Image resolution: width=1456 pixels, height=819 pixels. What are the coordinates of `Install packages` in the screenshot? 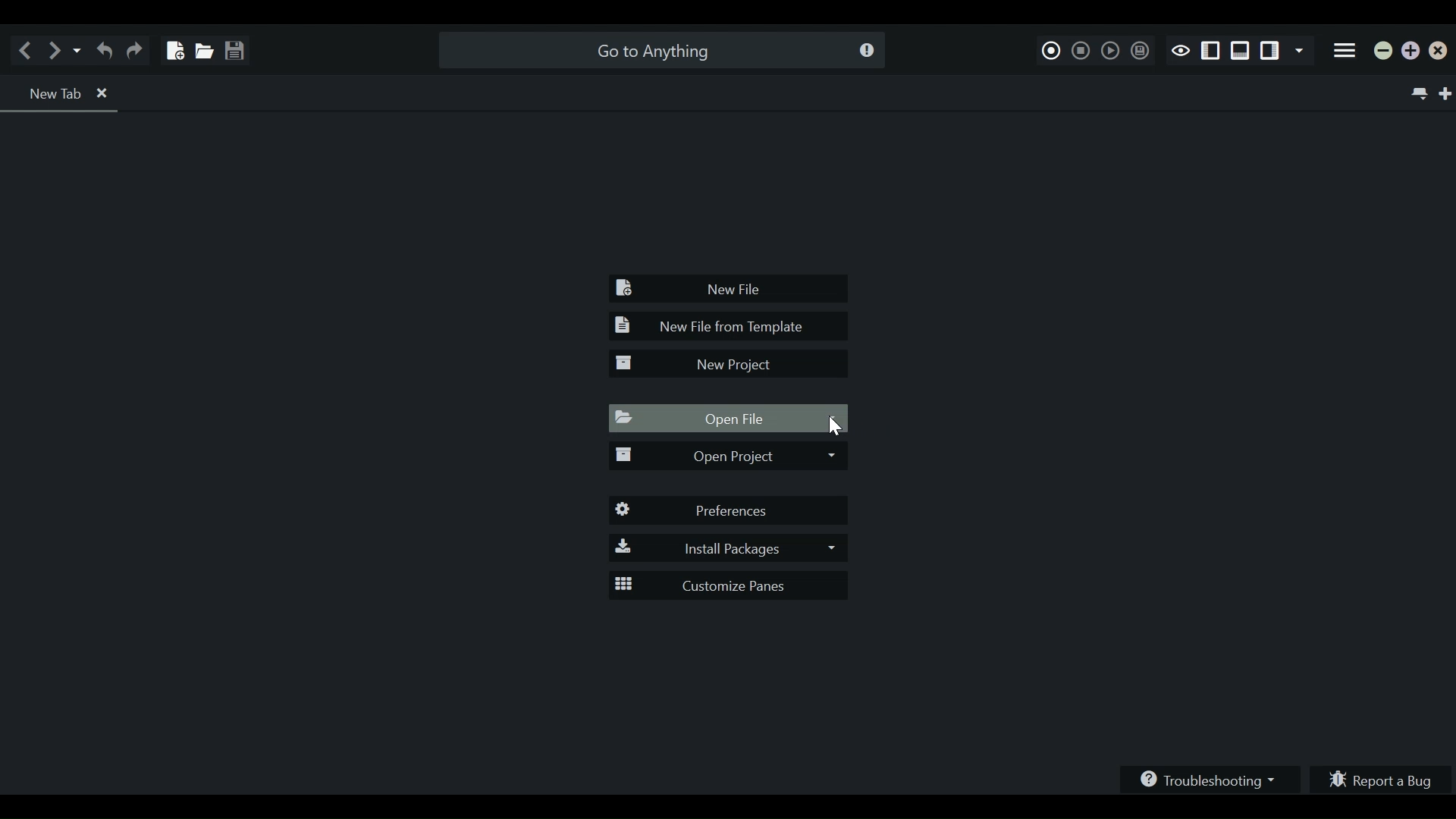 It's located at (726, 549).